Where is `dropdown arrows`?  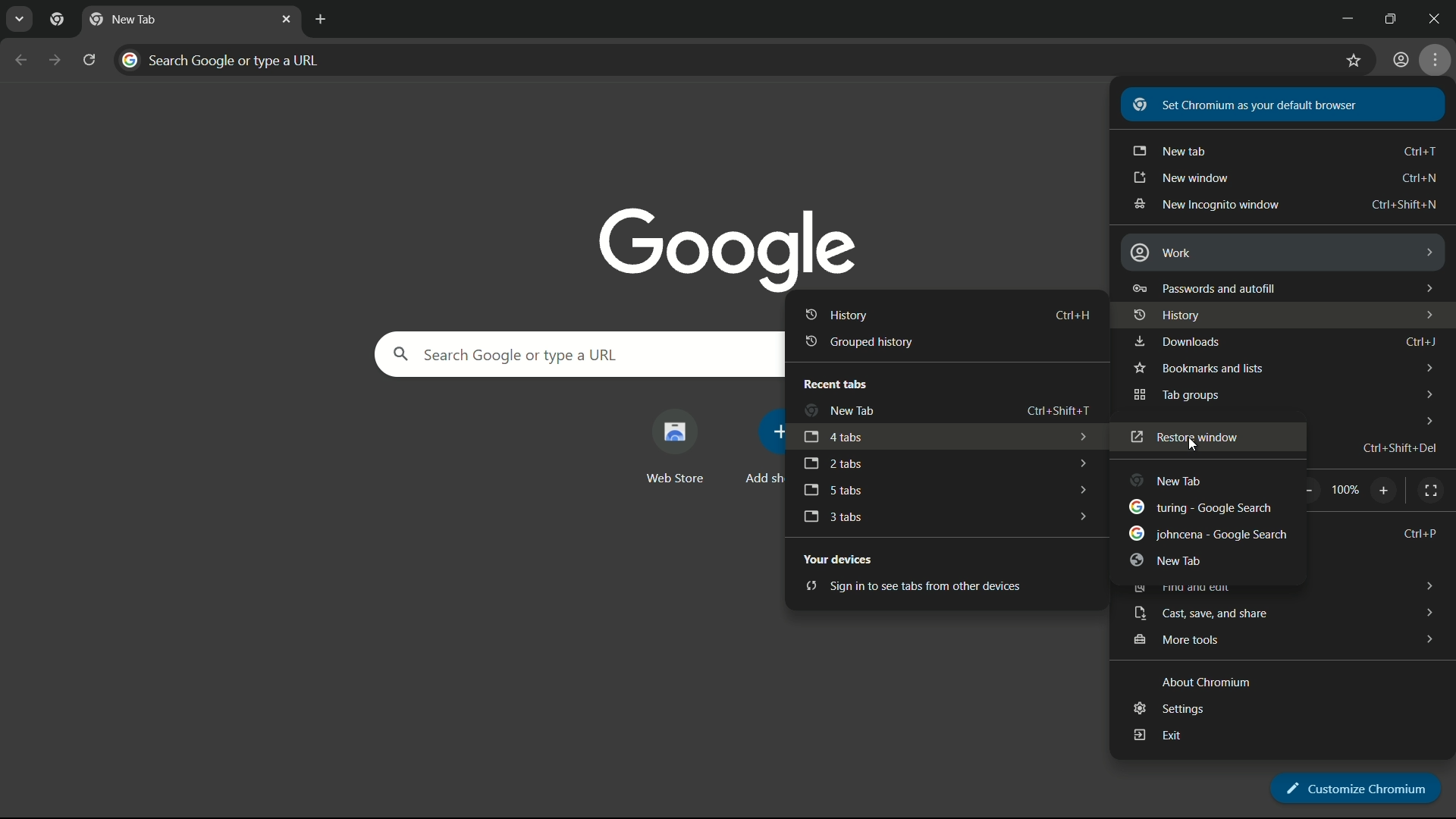 dropdown arrows is located at coordinates (1427, 639).